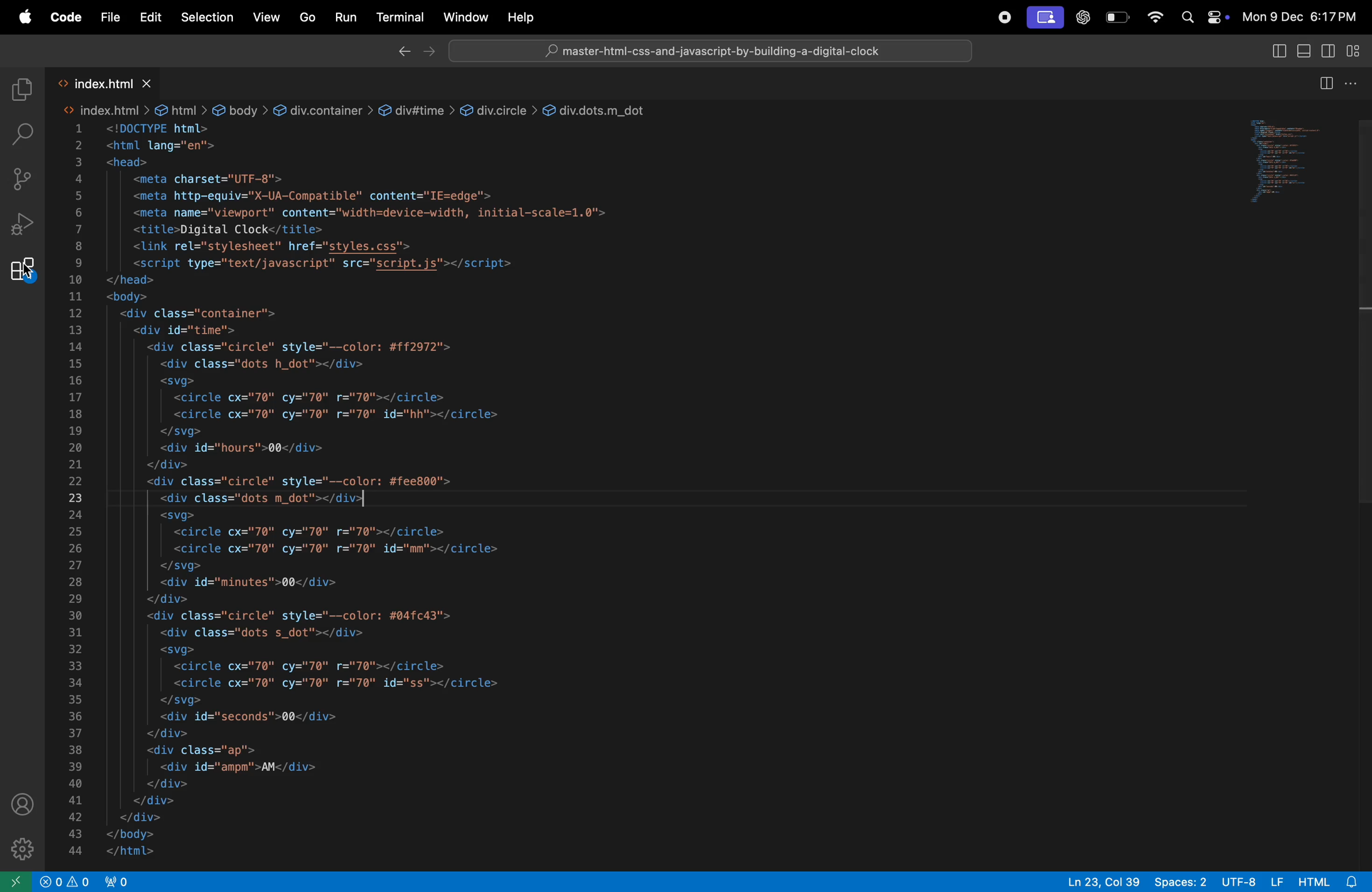 This screenshot has width=1372, height=892. What do you see at coordinates (18, 87) in the screenshot?
I see `explorer` at bounding box center [18, 87].